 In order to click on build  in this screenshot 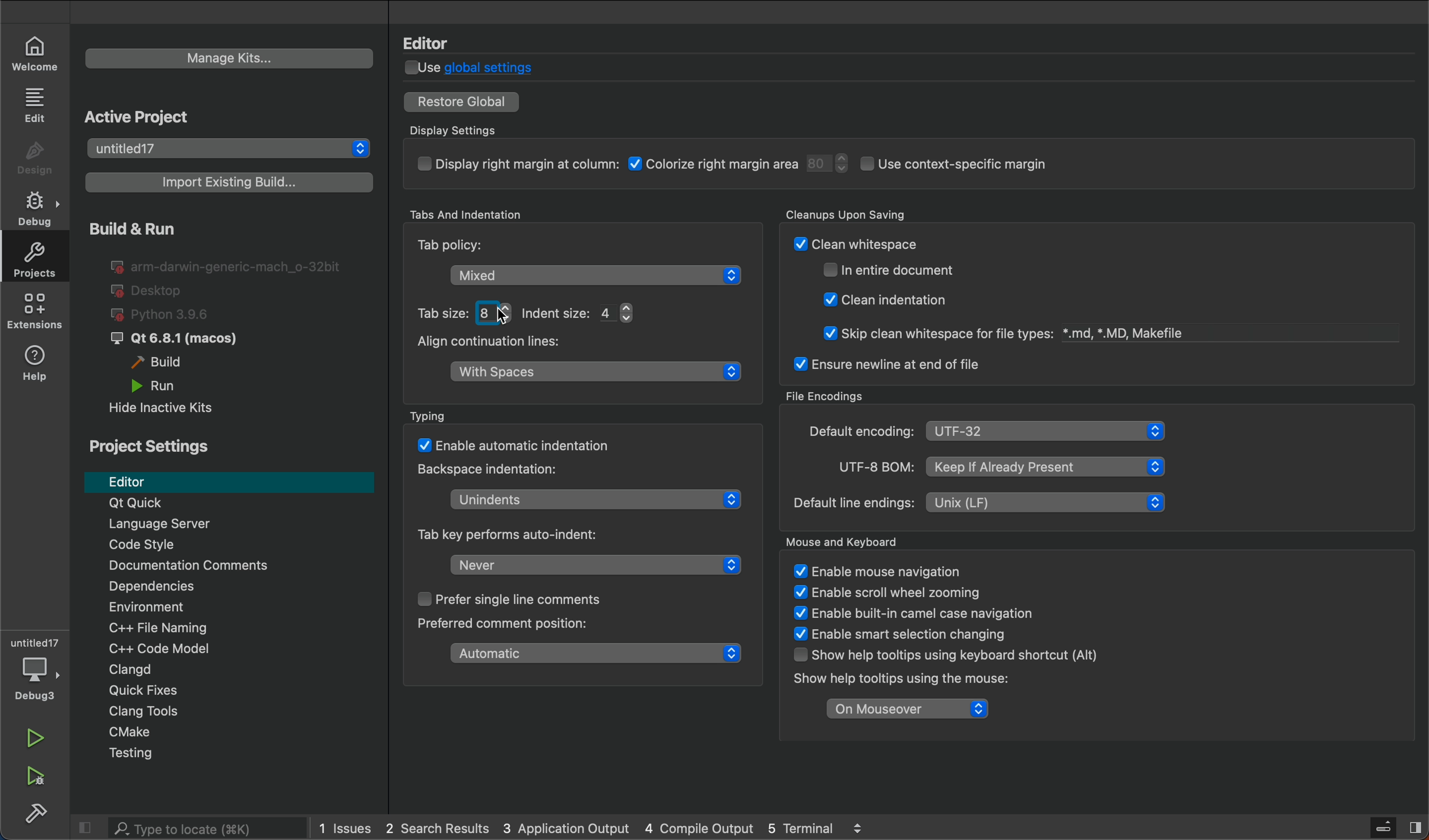, I will do `click(171, 364)`.